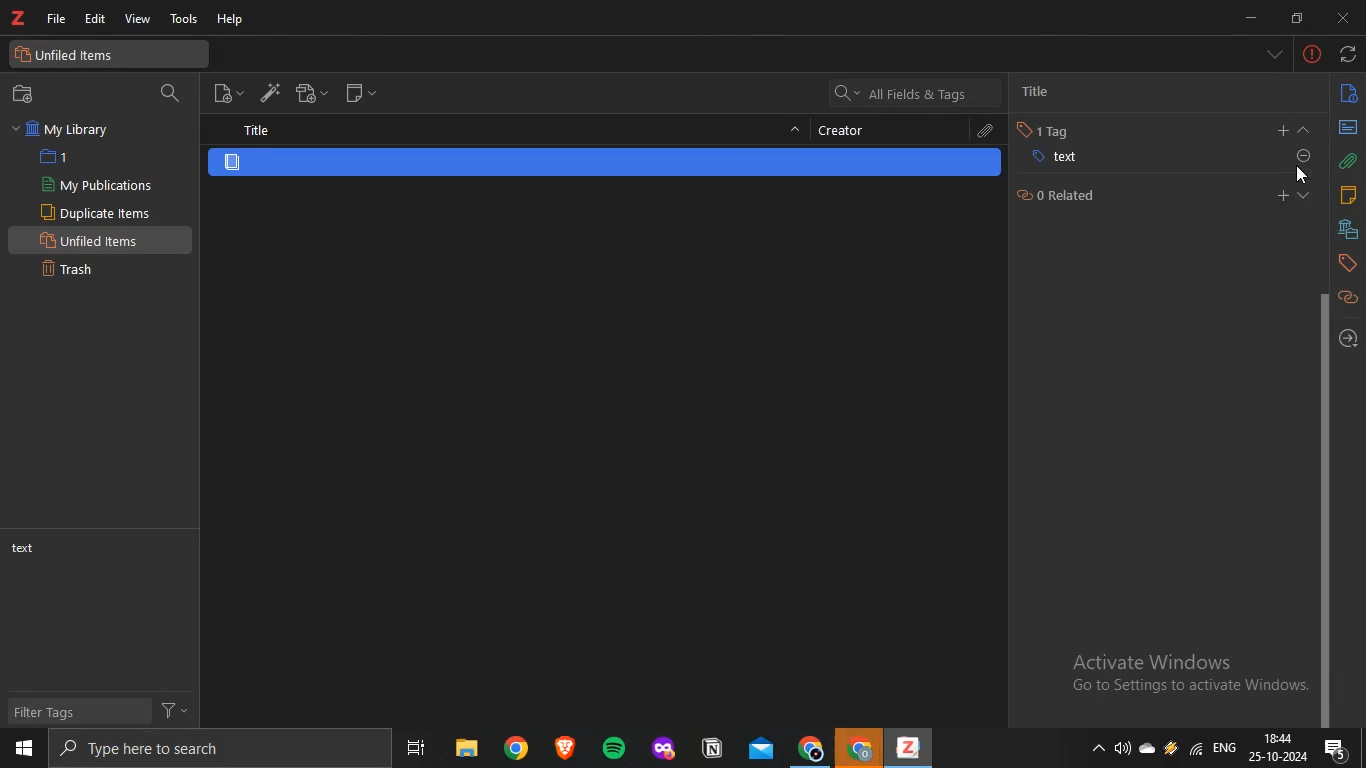  Describe the element at coordinates (95, 19) in the screenshot. I see `edit` at that location.